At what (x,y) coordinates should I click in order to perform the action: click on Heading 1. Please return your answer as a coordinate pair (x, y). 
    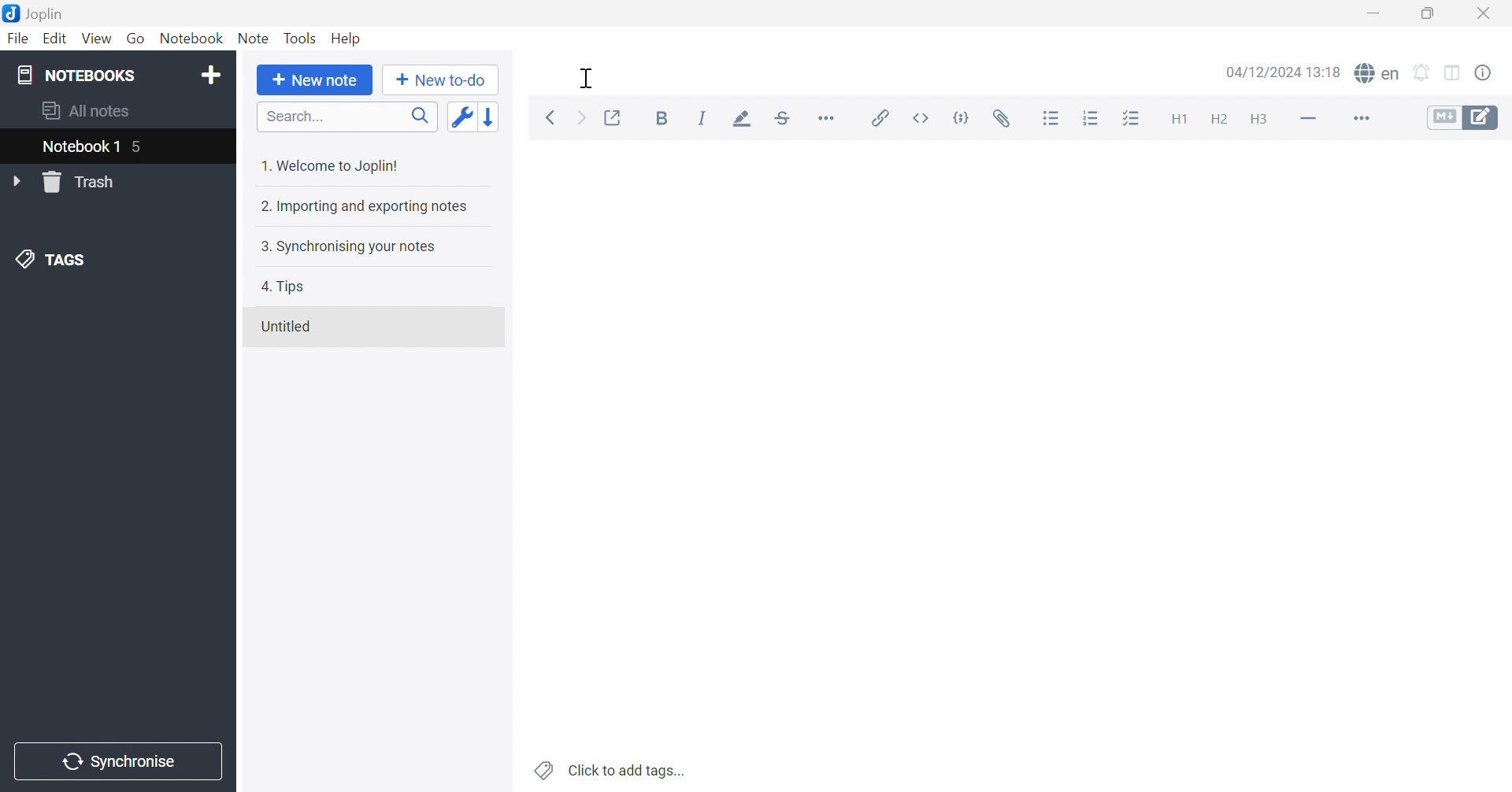
    Looking at the image, I should click on (1180, 120).